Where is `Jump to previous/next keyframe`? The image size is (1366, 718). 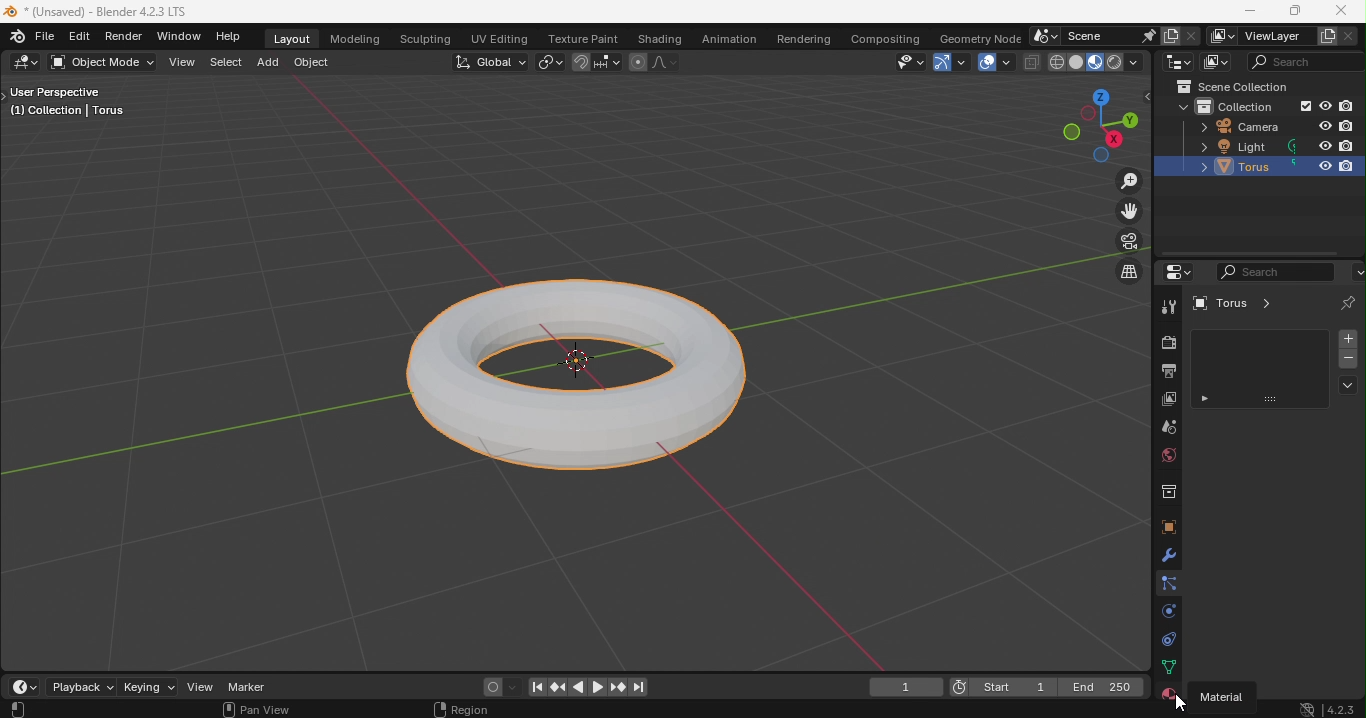
Jump to previous/next keyframe is located at coordinates (617, 689).